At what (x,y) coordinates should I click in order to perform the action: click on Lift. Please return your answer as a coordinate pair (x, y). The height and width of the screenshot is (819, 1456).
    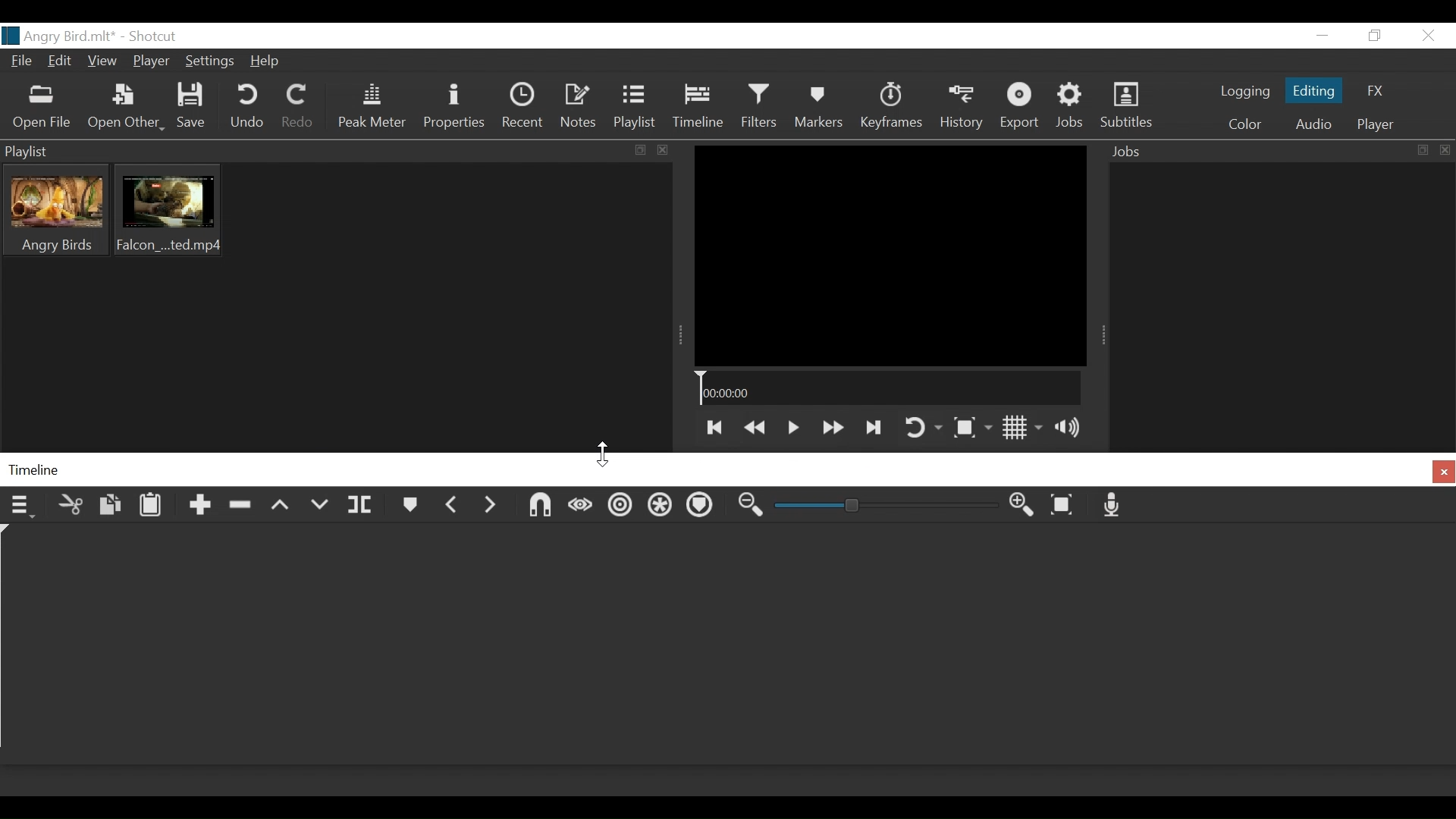
    Looking at the image, I should click on (281, 510).